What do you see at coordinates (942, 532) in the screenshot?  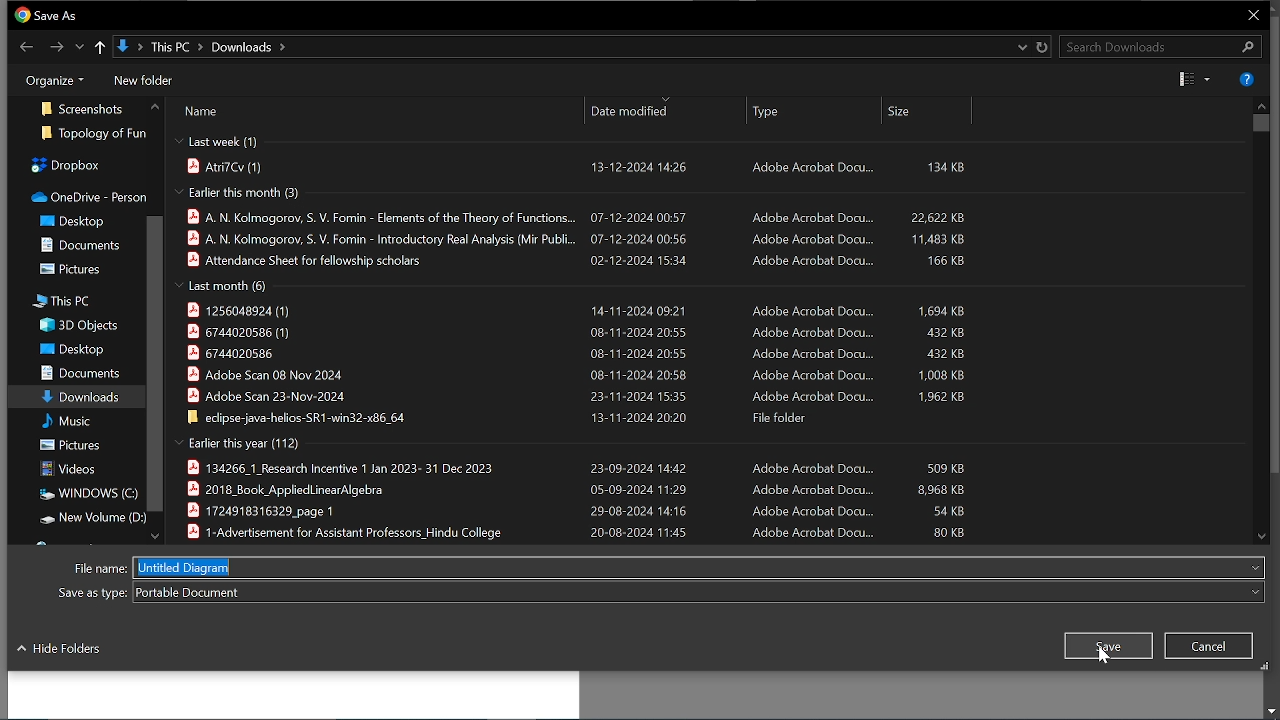 I see `80 KB` at bounding box center [942, 532].